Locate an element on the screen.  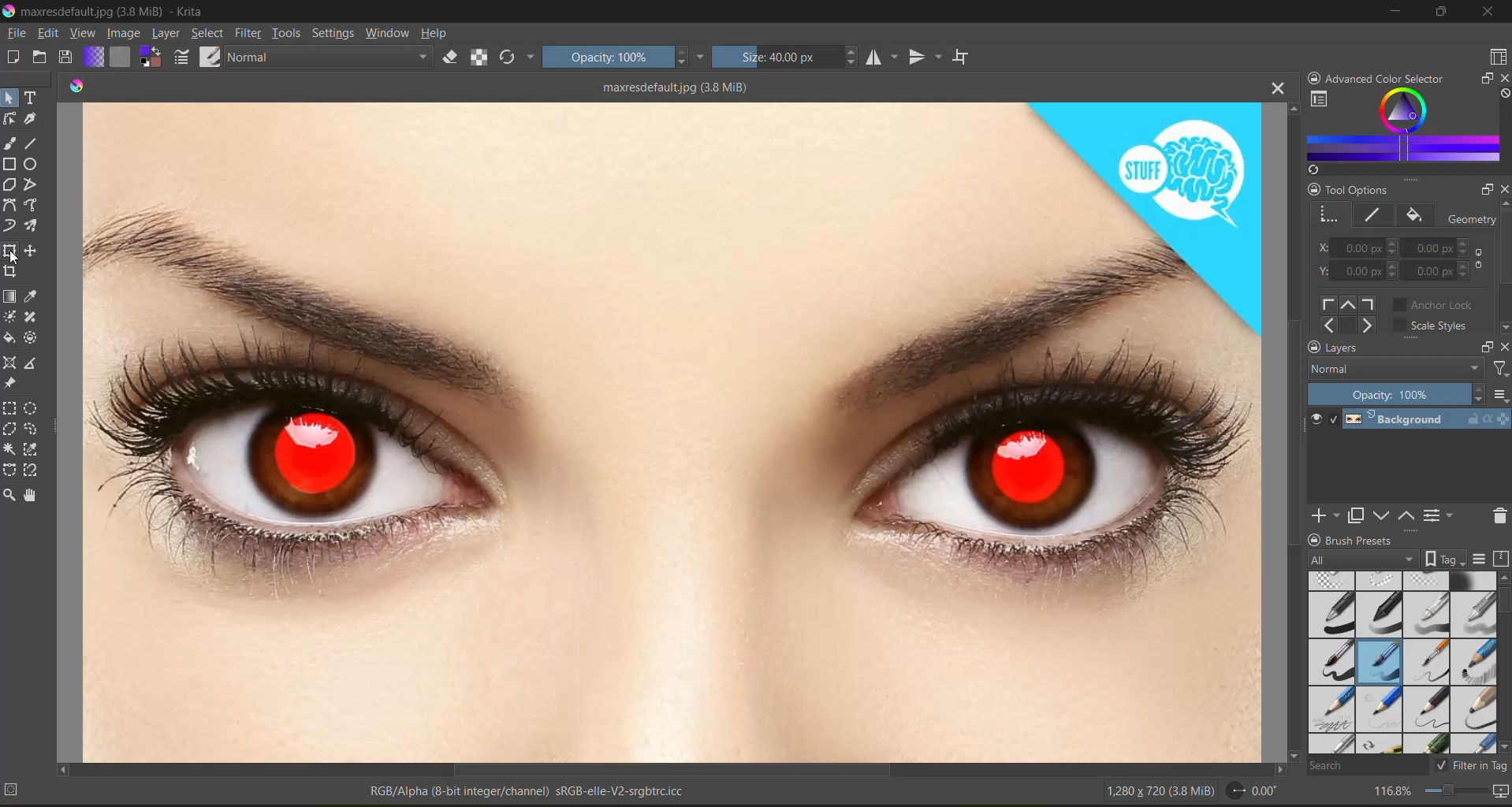
tool is located at coordinates (11, 430).